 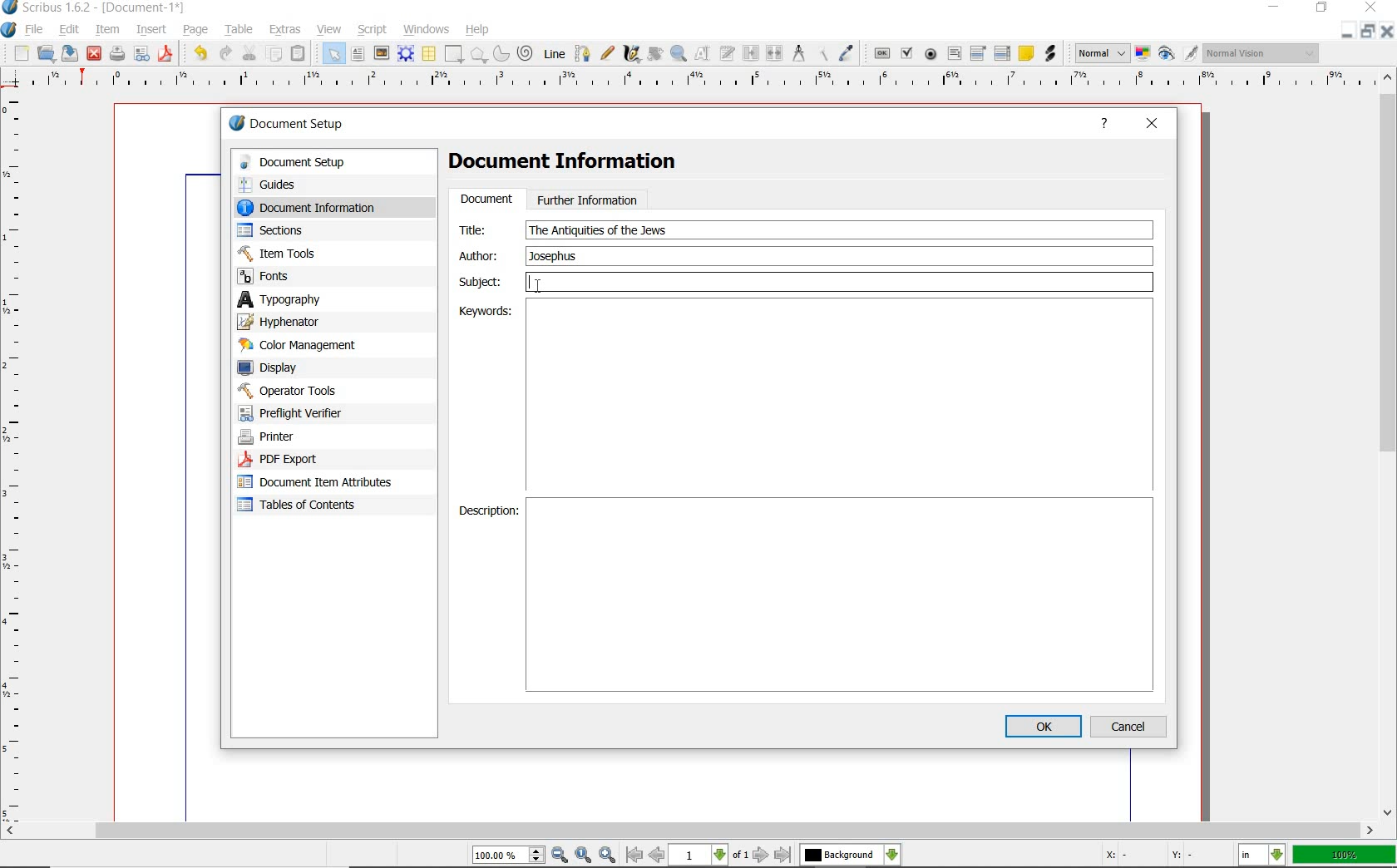 What do you see at coordinates (94, 8) in the screenshot?
I see `system name` at bounding box center [94, 8].